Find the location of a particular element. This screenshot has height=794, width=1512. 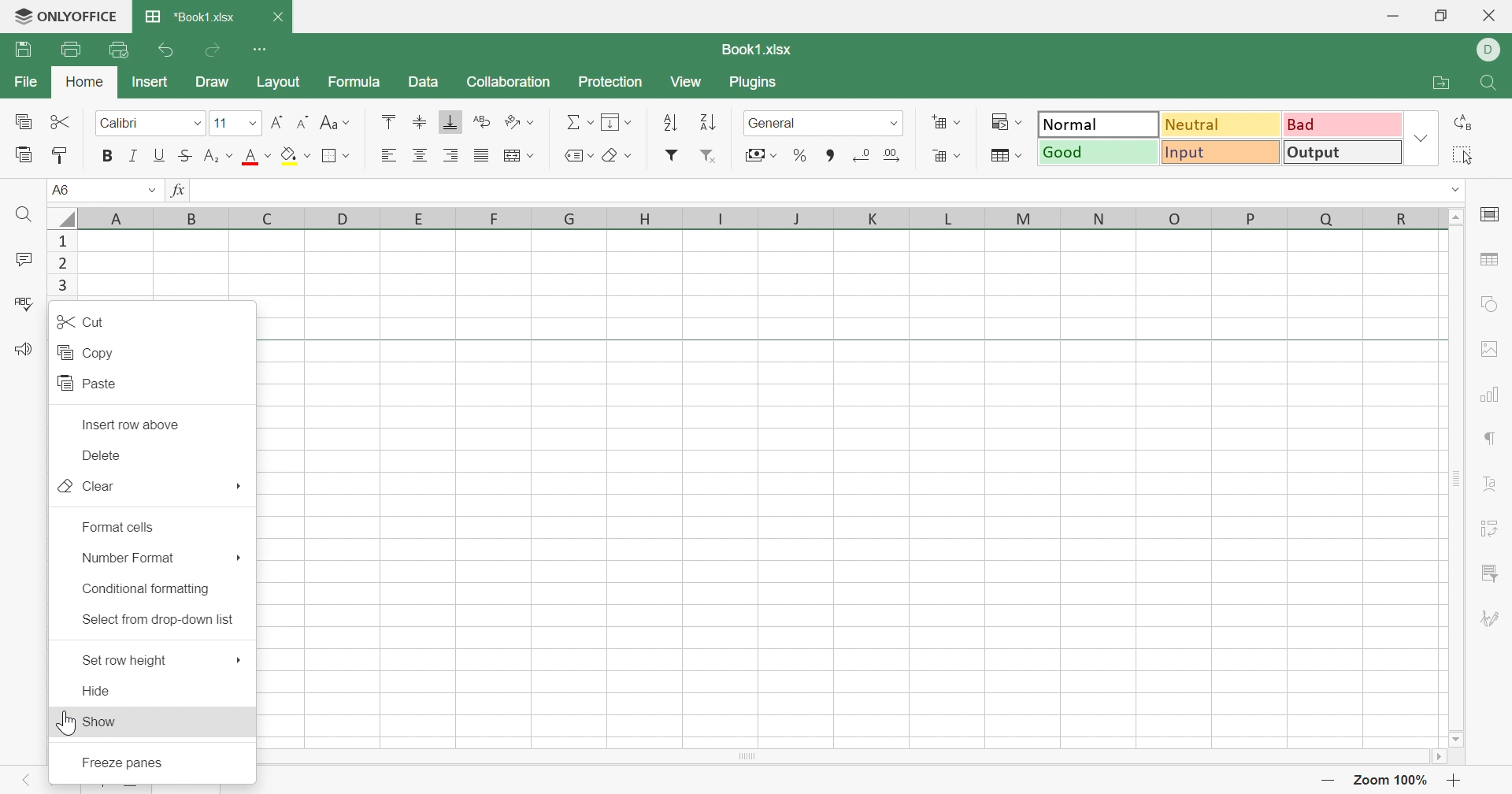

Draw is located at coordinates (211, 81).